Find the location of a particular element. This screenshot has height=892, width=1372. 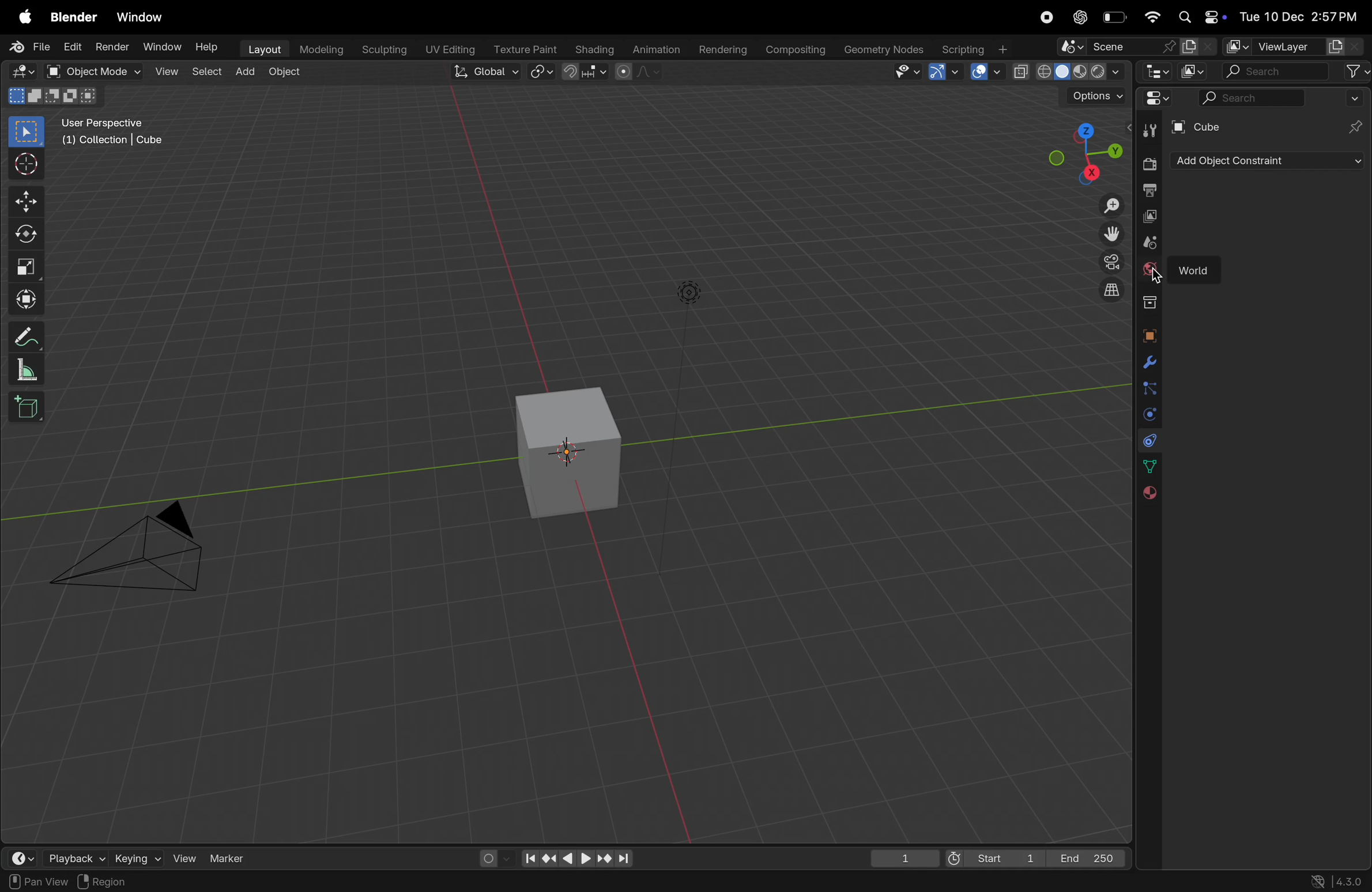

playback controls is located at coordinates (573, 855).